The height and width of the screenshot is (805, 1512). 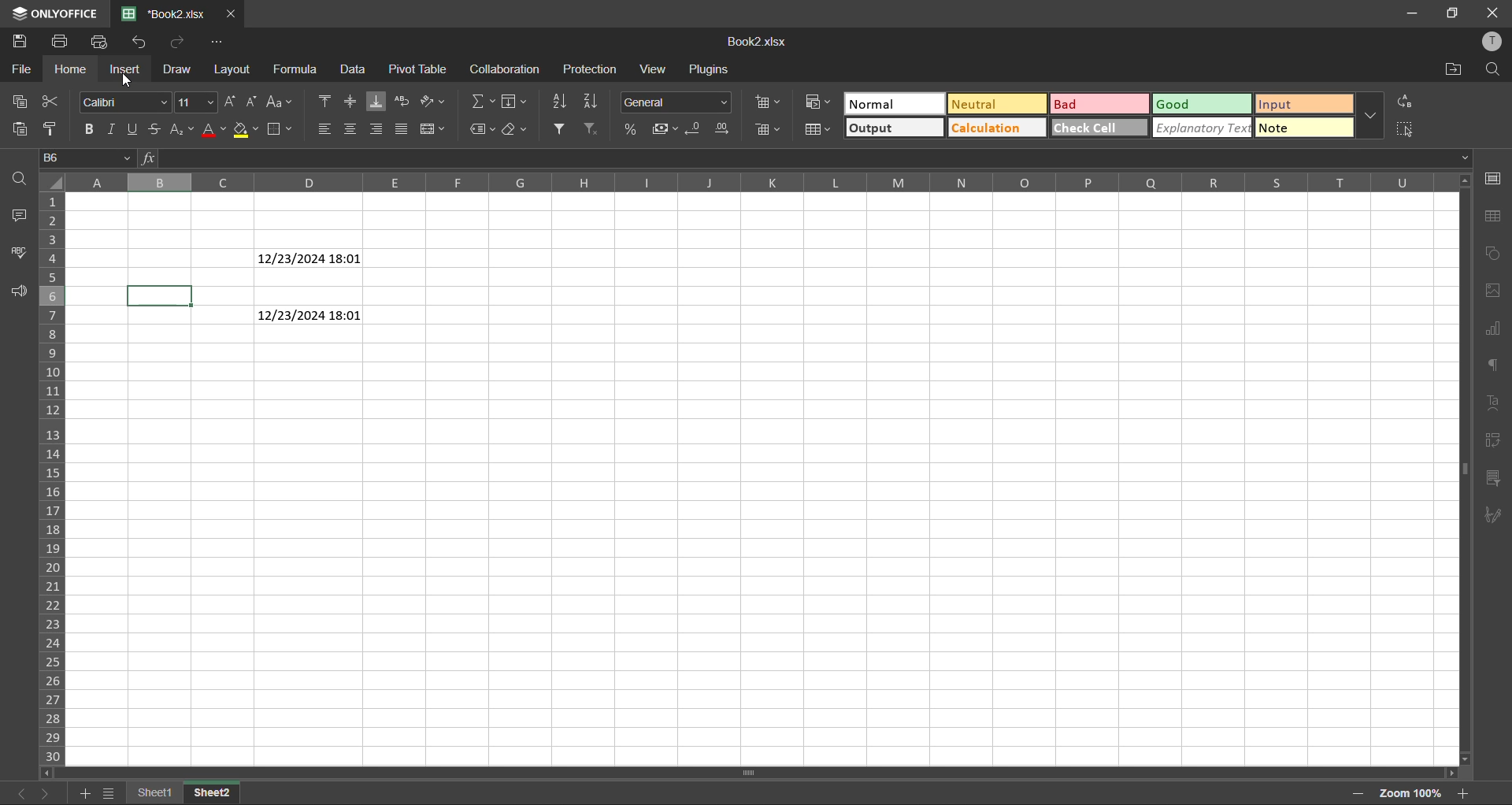 What do you see at coordinates (377, 128) in the screenshot?
I see `align right` at bounding box center [377, 128].